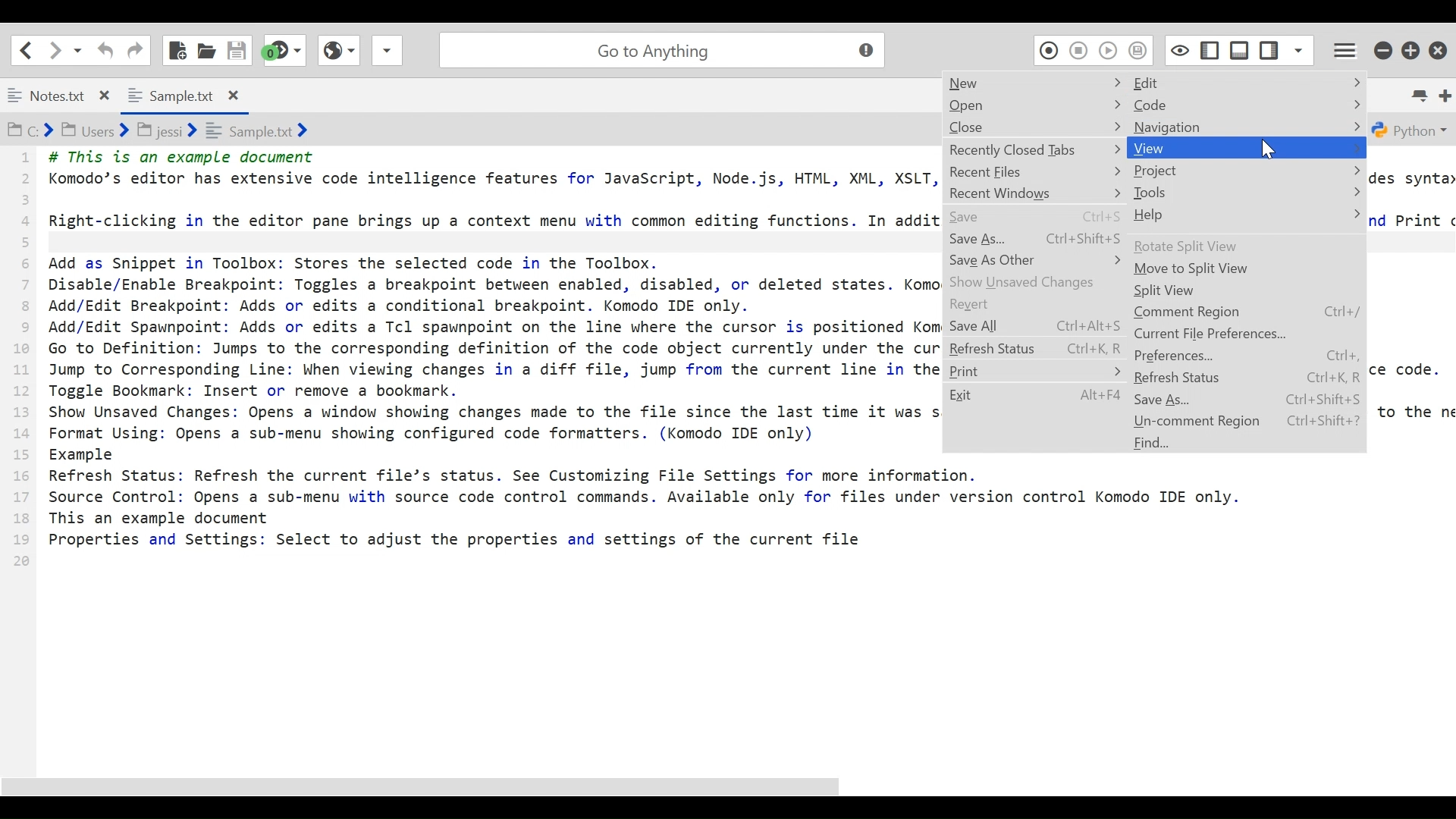 The height and width of the screenshot is (819, 1456). What do you see at coordinates (1036, 396) in the screenshot?
I see `Exit Alt+F4` at bounding box center [1036, 396].